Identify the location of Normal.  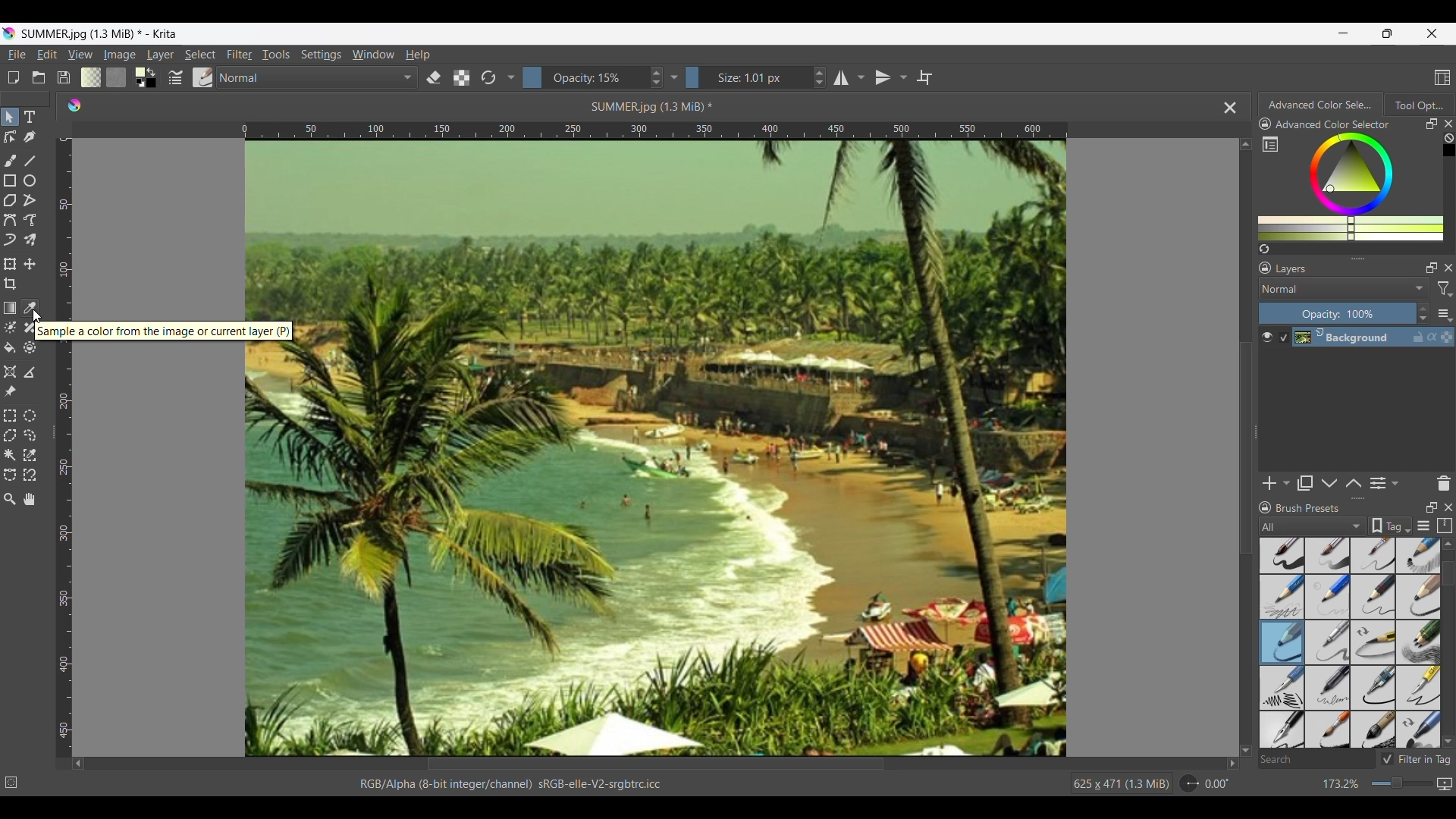
(318, 77).